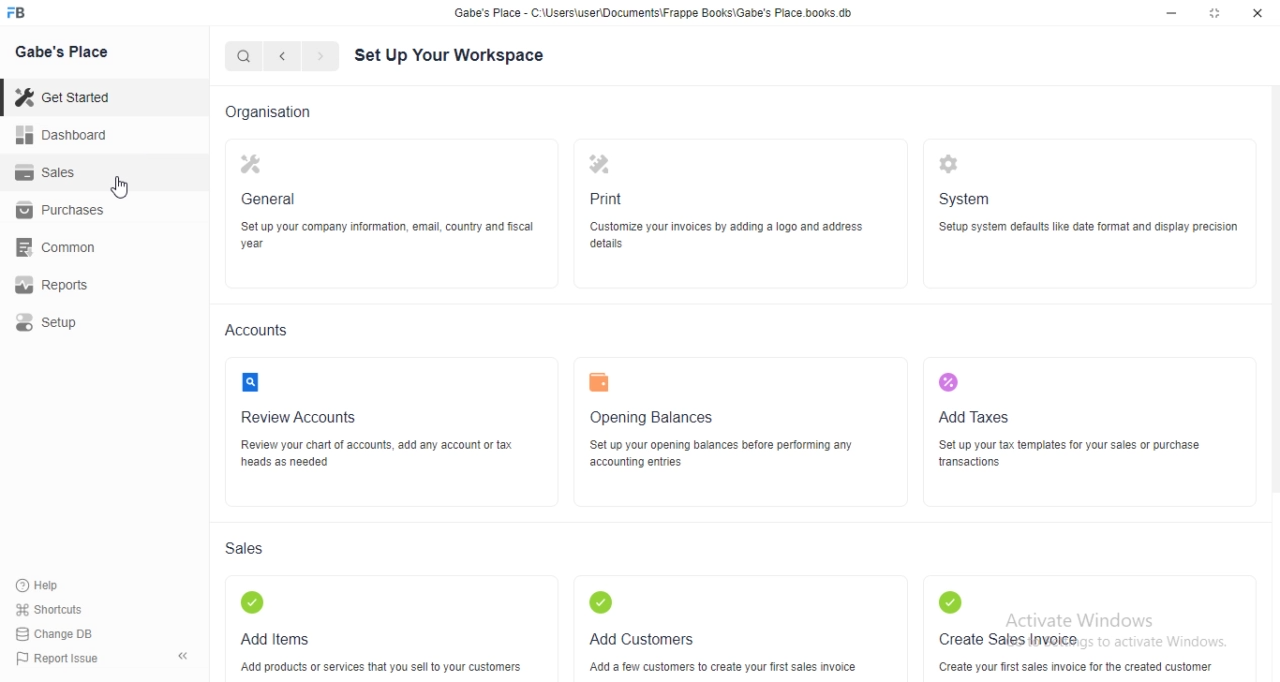  Describe the element at coordinates (455, 58) in the screenshot. I see `Set Up Your Workspace` at that location.